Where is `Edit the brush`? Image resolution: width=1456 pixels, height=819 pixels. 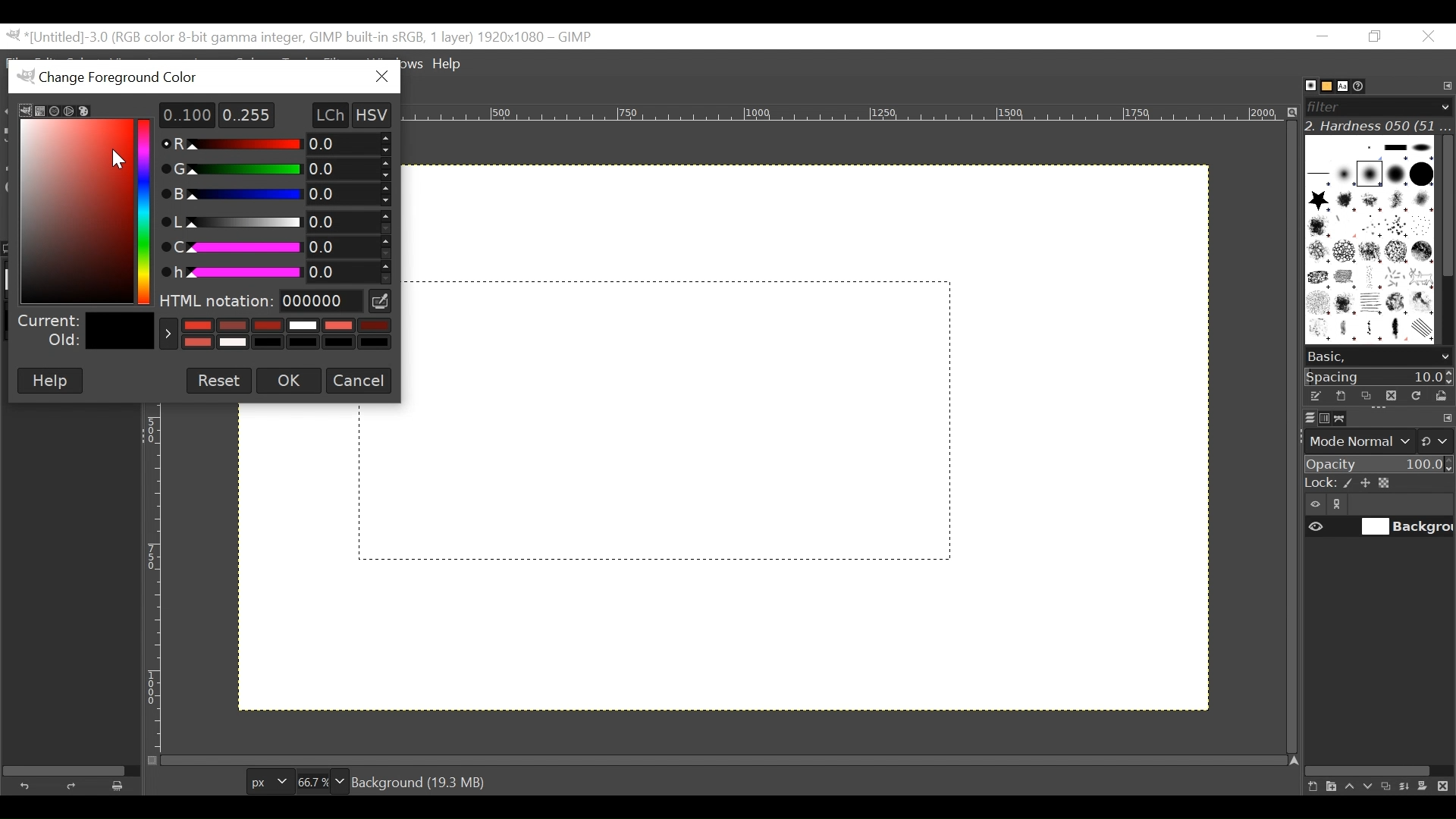 Edit the brush is located at coordinates (1315, 396).